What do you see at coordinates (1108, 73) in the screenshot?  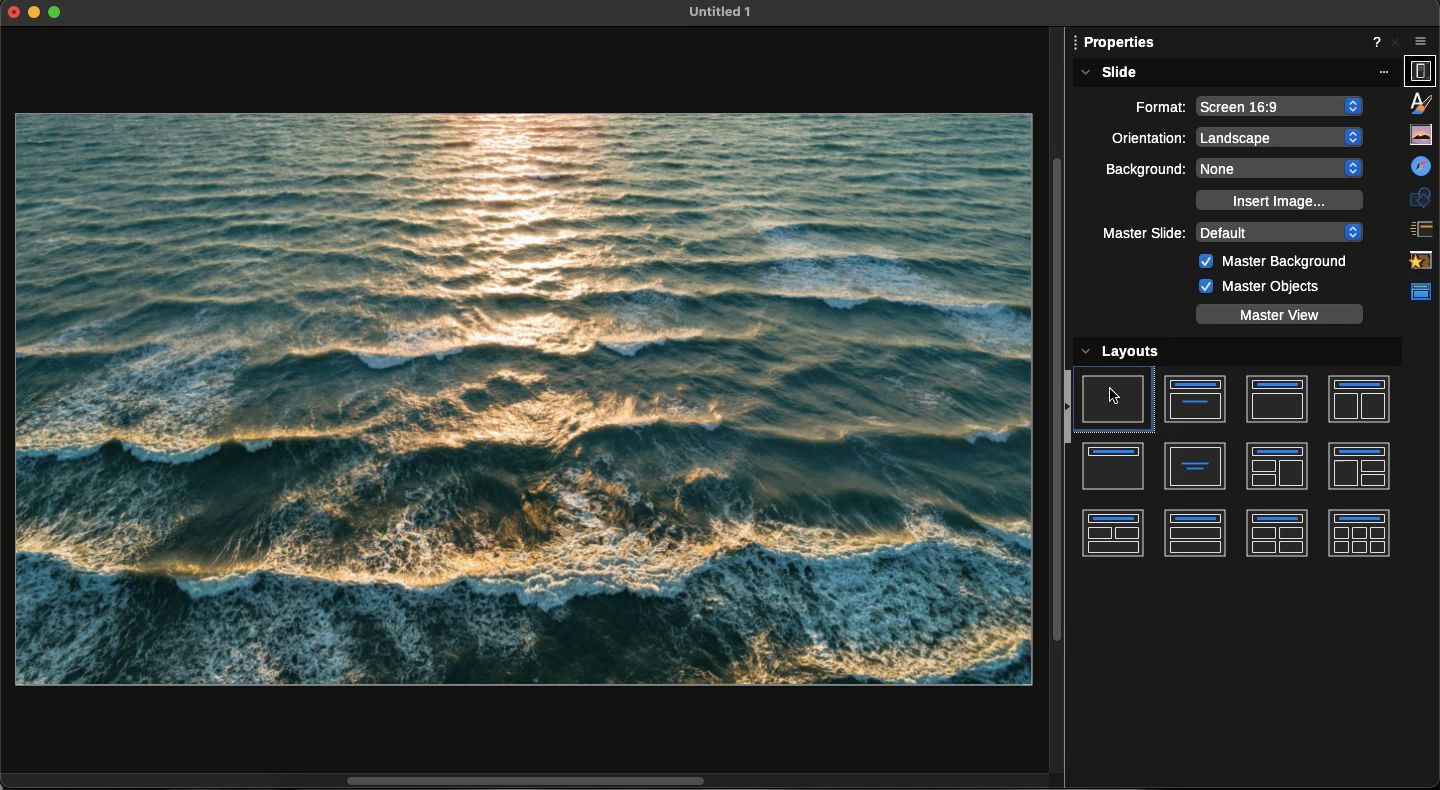 I see `Slide` at bounding box center [1108, 73].